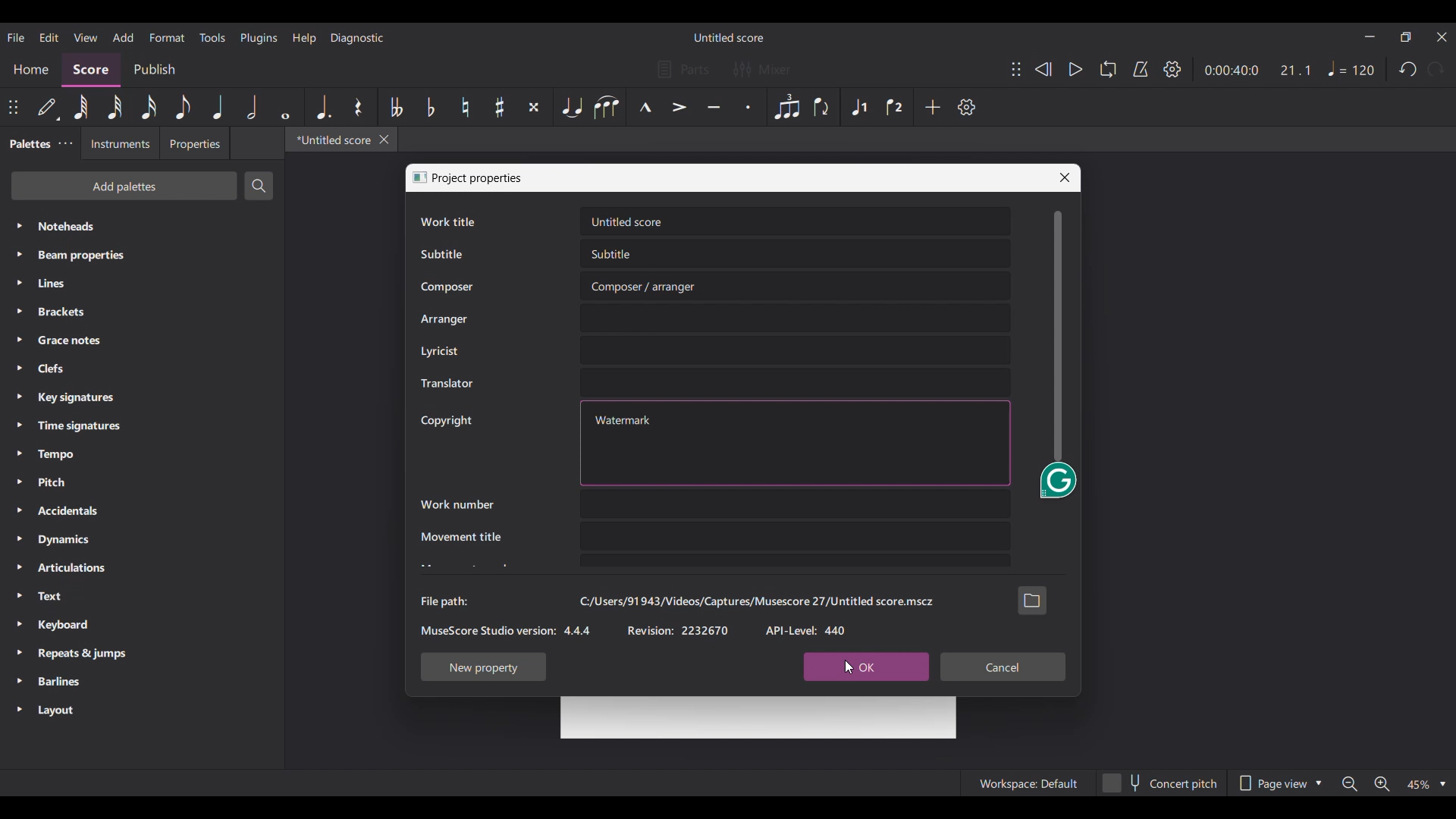 Image resolution: width=1456 pixels, height=819 pixels. Describe the element at coordinates (534, 107) in the screenshot. I see `Toggle double sharp` at that location.